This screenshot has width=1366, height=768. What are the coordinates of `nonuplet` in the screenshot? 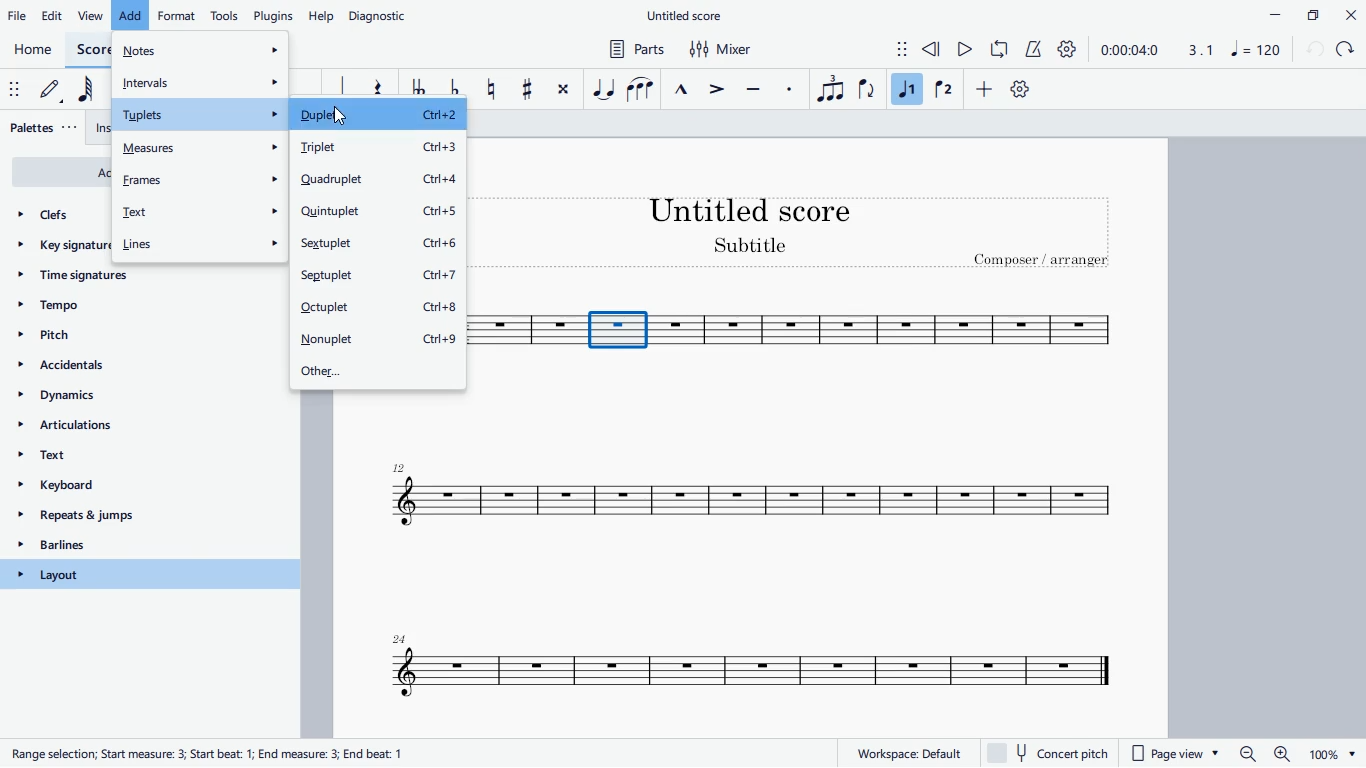 It's located at (380, 339).